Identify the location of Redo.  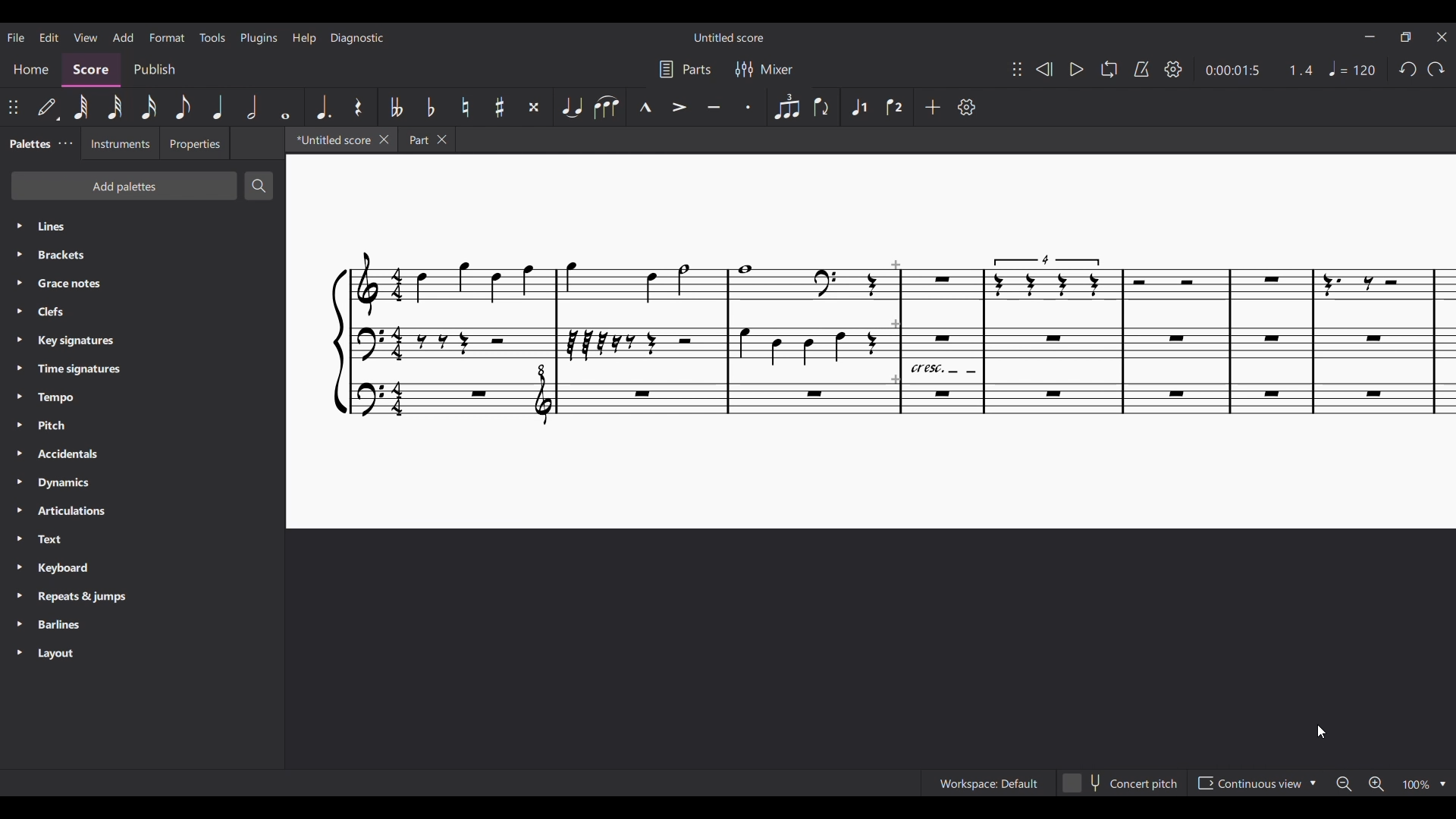
(1436, 70).